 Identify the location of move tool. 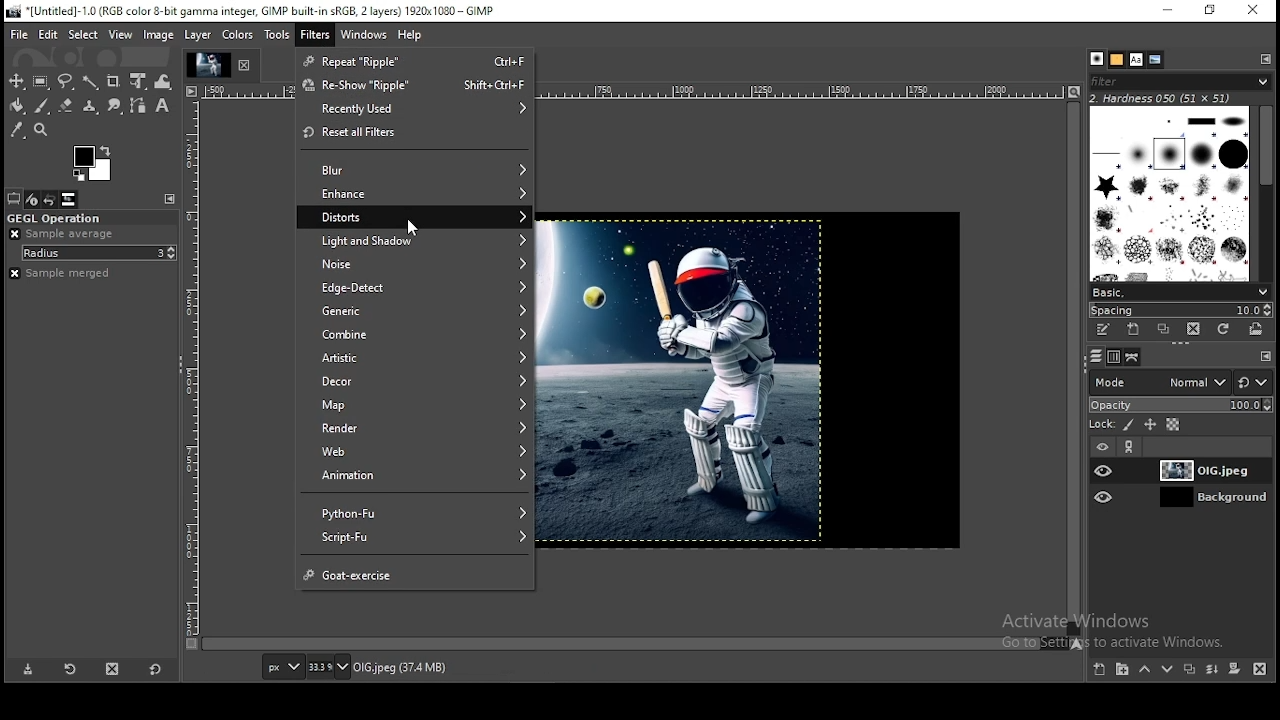
(18, 82).